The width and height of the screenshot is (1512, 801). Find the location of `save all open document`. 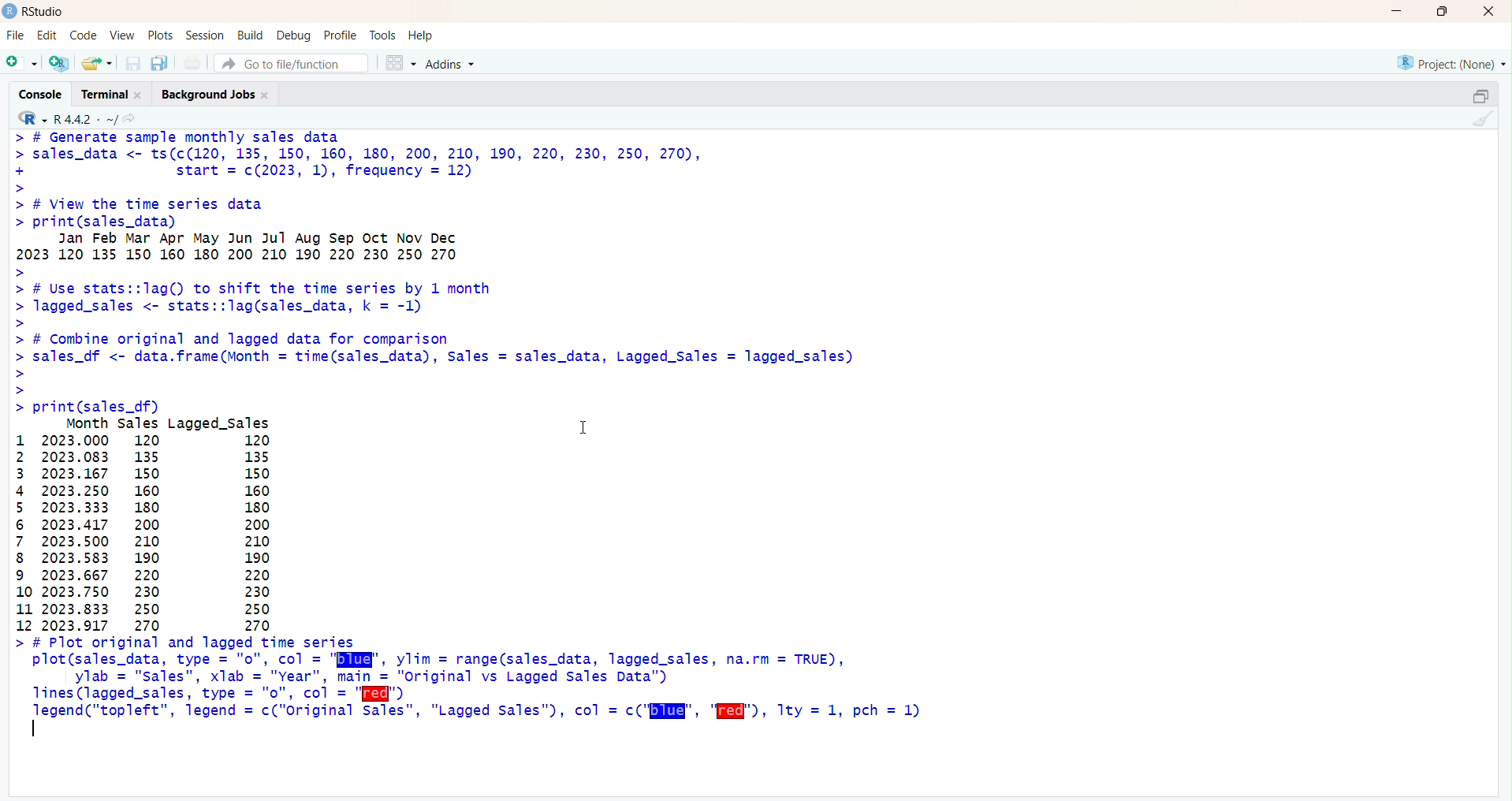

save all open document is located at coordinates (160, 64).